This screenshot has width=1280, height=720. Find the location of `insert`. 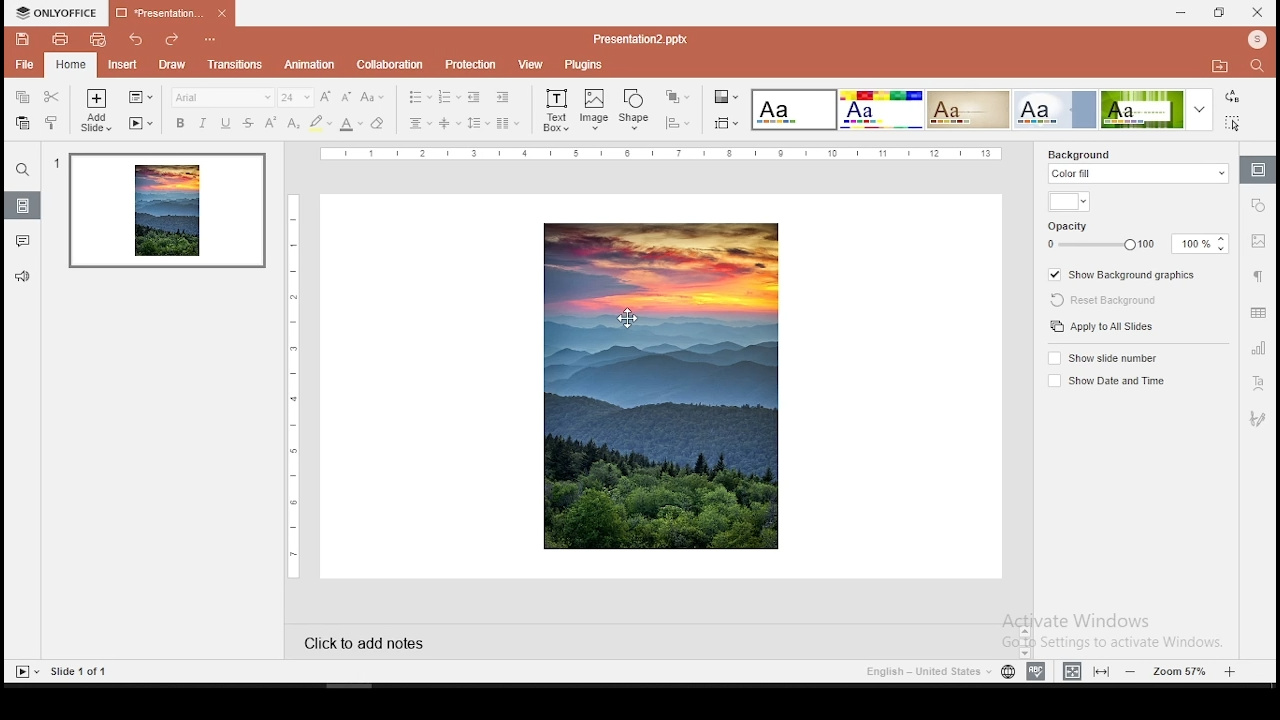

insert is located at coordinates (119, 65).